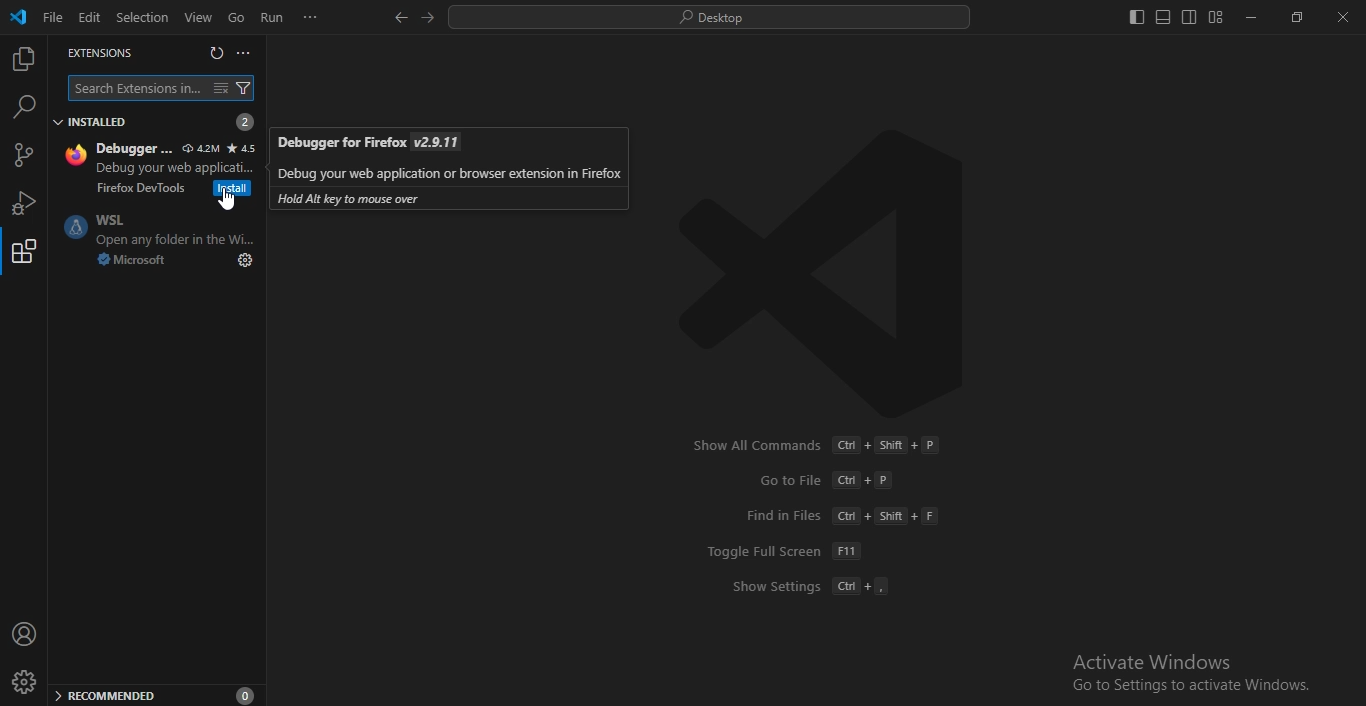  What do you see at coordinates (155, 121) in the screenshot?
I see `installed` at bounding box center [155, 121].